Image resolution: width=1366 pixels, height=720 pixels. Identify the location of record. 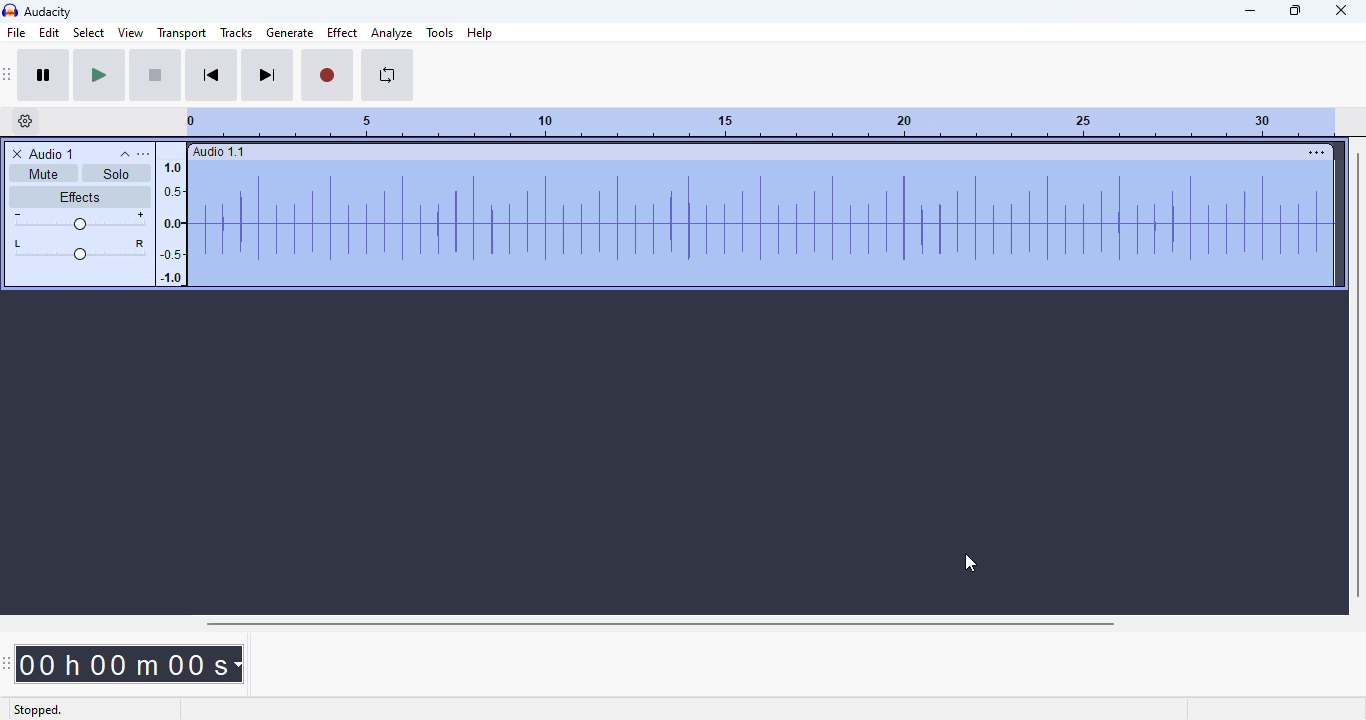
(328, 75).